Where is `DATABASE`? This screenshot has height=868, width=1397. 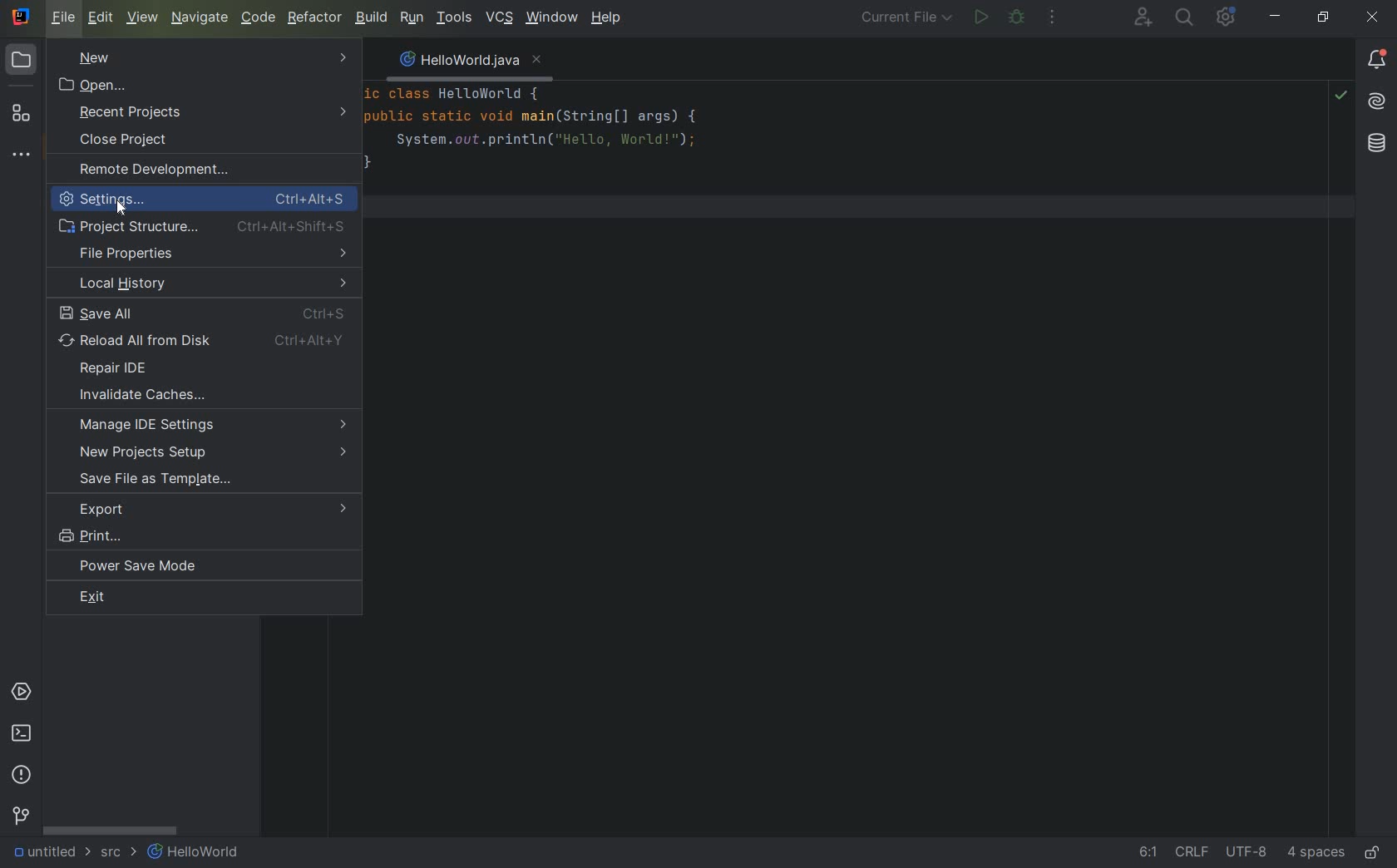
DATABASE is located at coordinates (1377, 145).